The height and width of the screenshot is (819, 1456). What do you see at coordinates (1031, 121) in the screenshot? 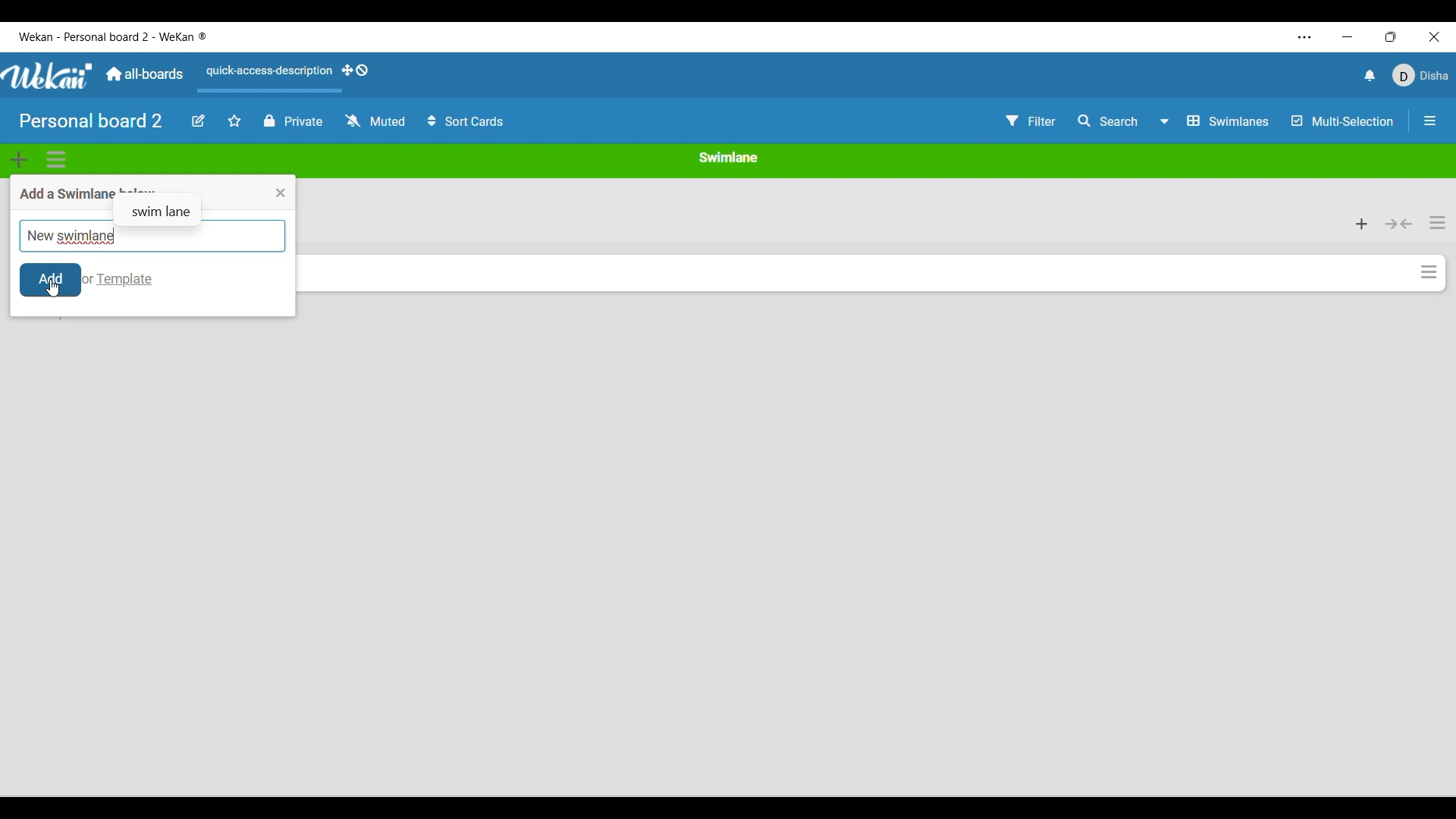
I see `Filter` at bounding box center [1031, 121].